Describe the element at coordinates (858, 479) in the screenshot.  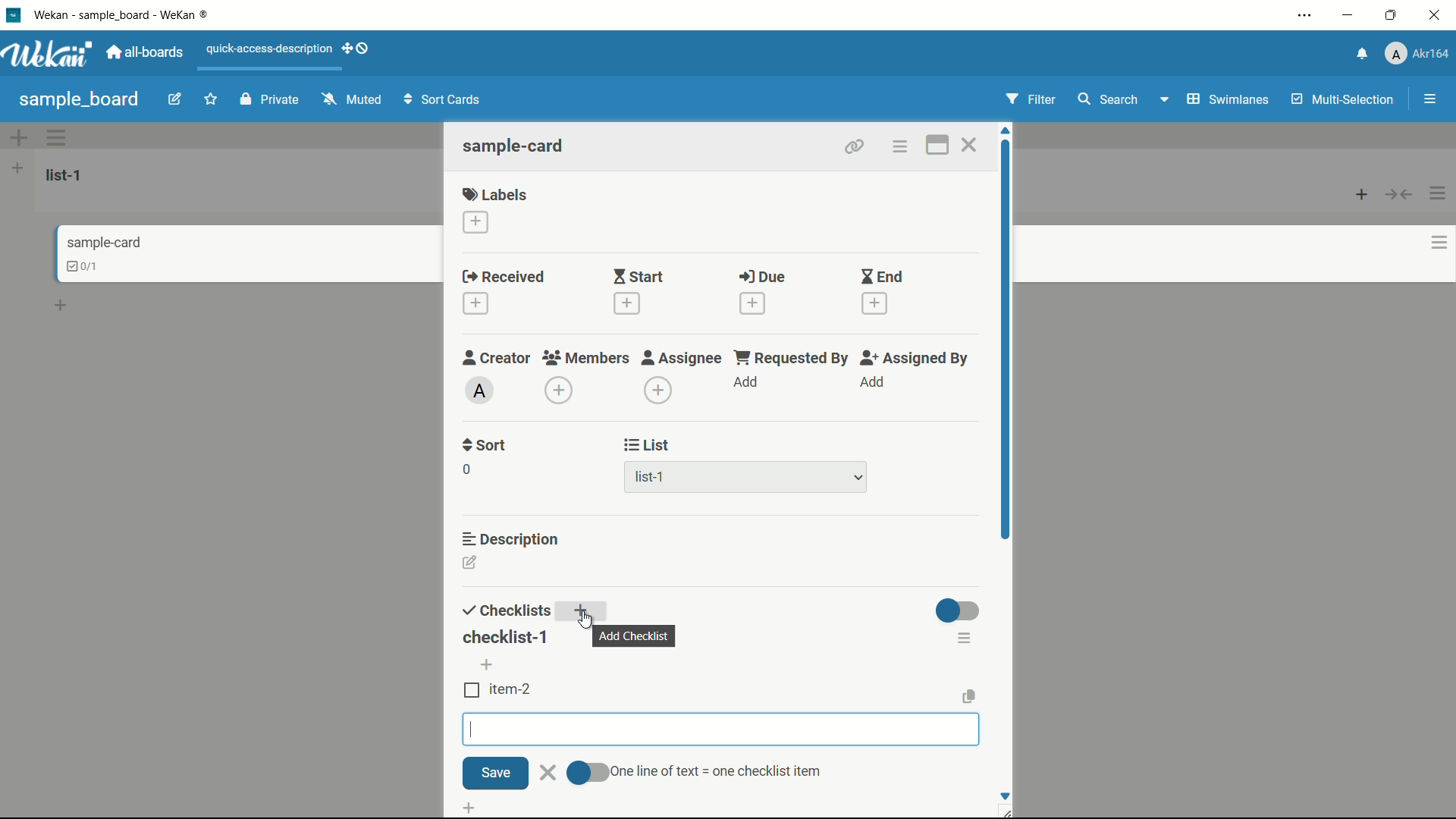
I see `dropdown` at that location.